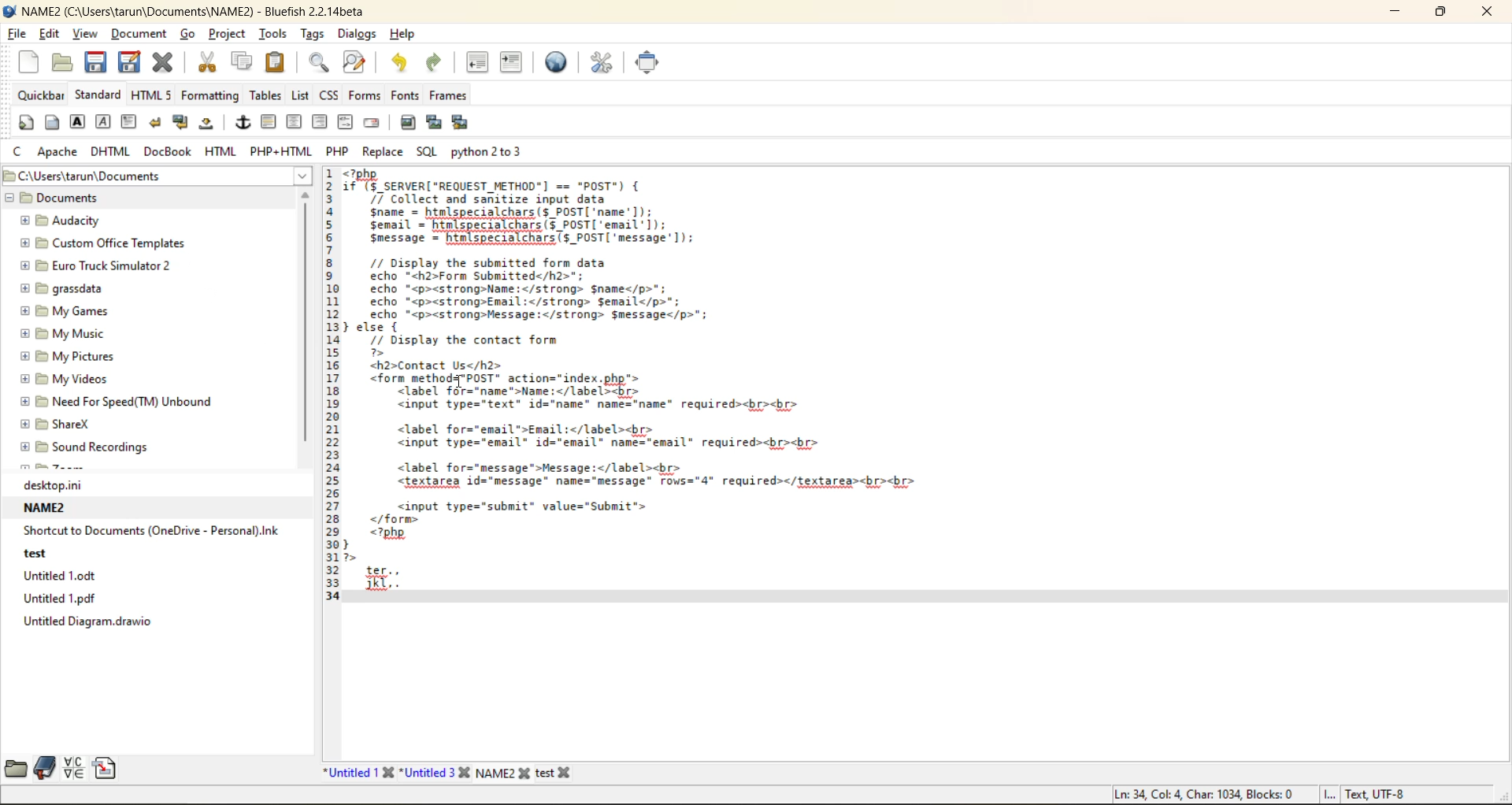 The width and height of the screenshot is (1512, 805). Describe the element at coordinates (95, 199) in the screenshot. I see `documents` at that location.